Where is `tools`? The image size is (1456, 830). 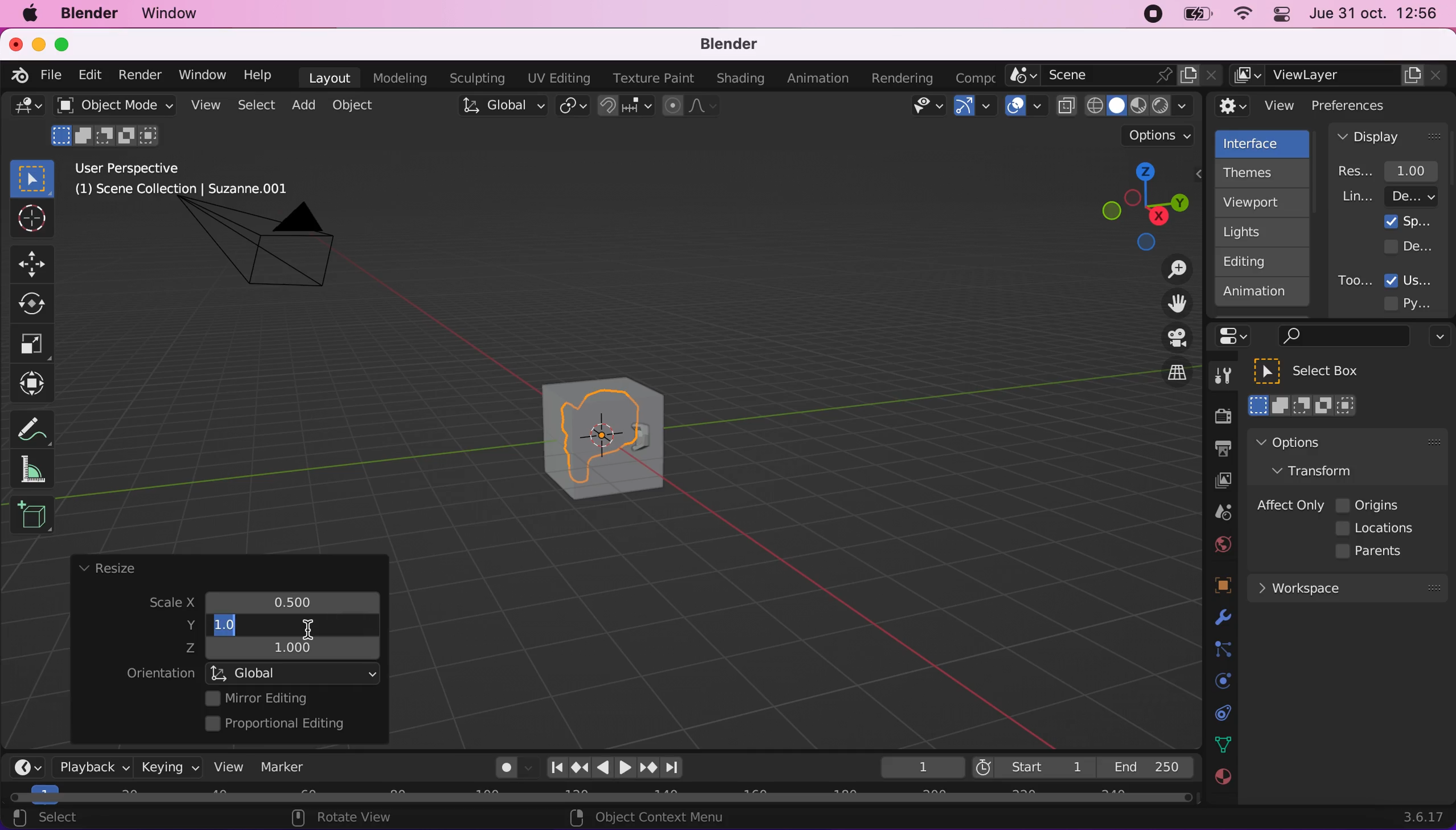 tools is located at coordinates (1217, 379).